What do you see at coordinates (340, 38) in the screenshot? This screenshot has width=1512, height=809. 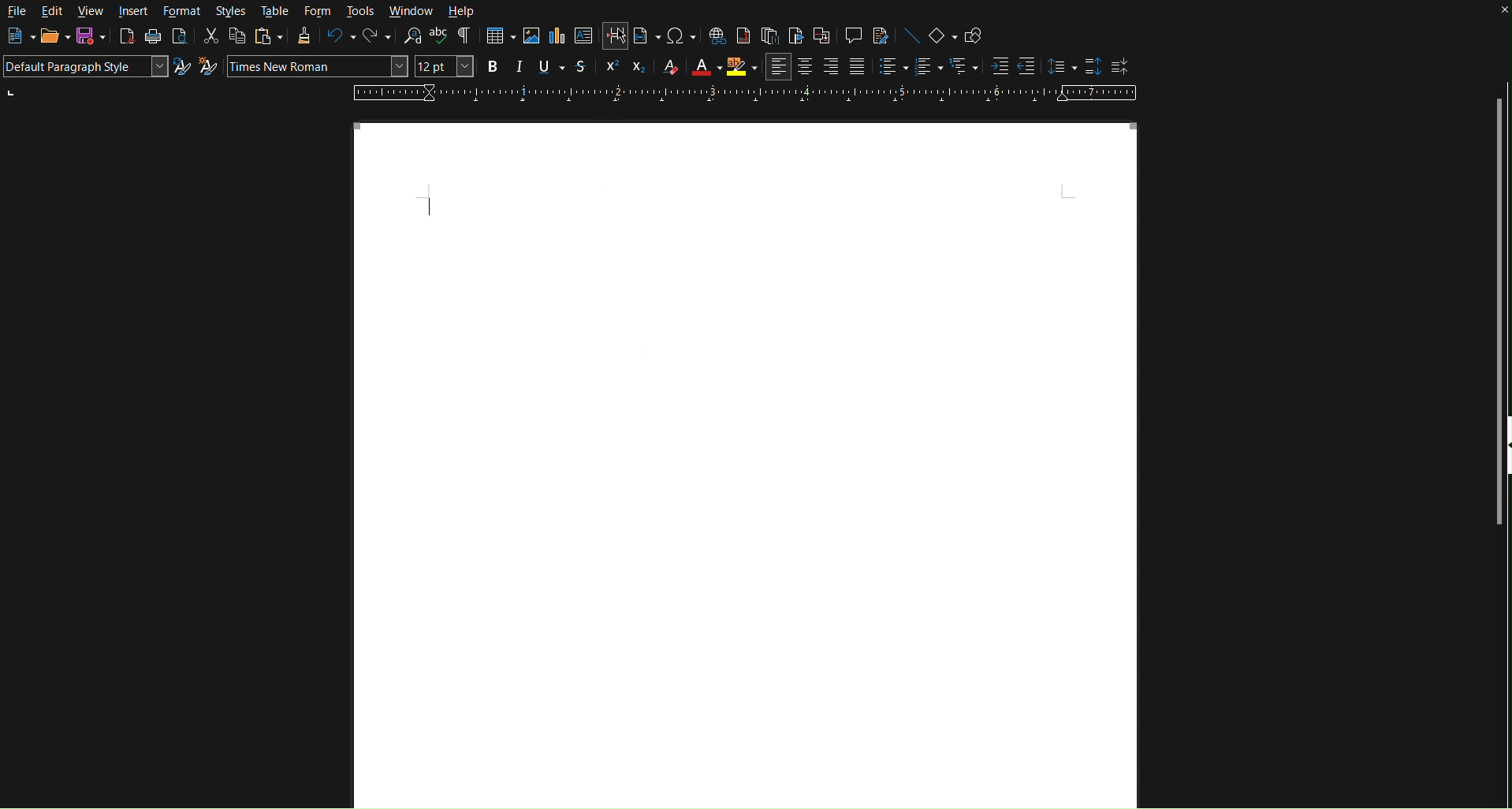 I see `Undo` at bounding box center [340, 38].